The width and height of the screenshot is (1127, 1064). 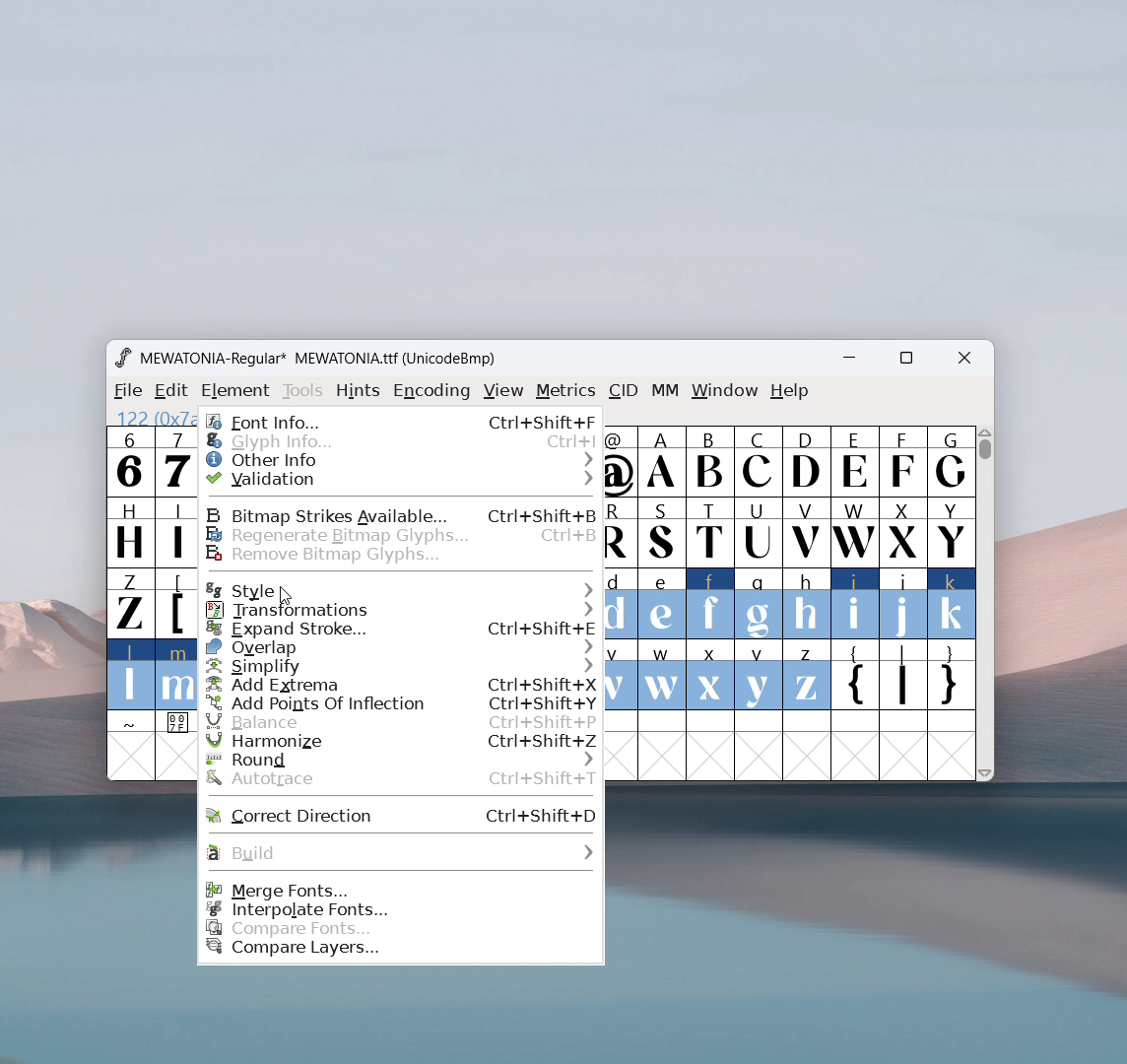 I want to click on element, so click(x=235, y=391).